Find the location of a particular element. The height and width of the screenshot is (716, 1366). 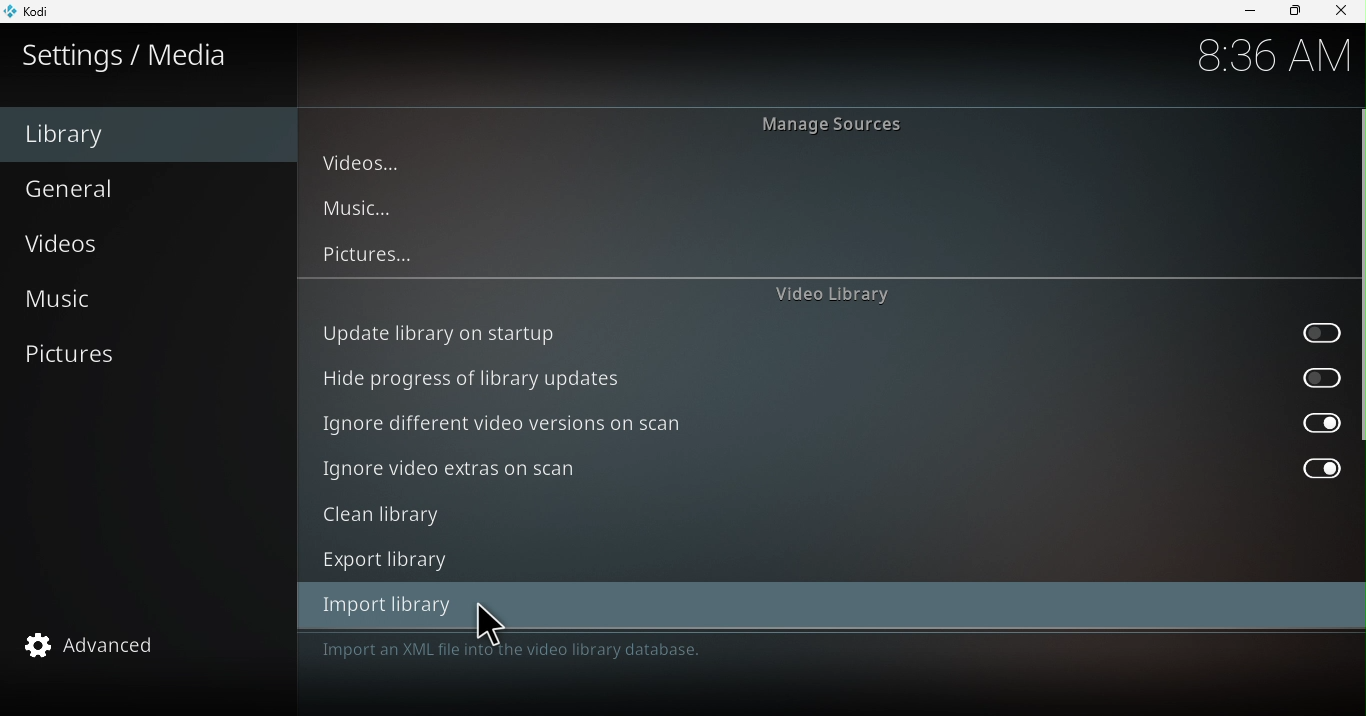

Pictures is located at coordinates (370, 255).